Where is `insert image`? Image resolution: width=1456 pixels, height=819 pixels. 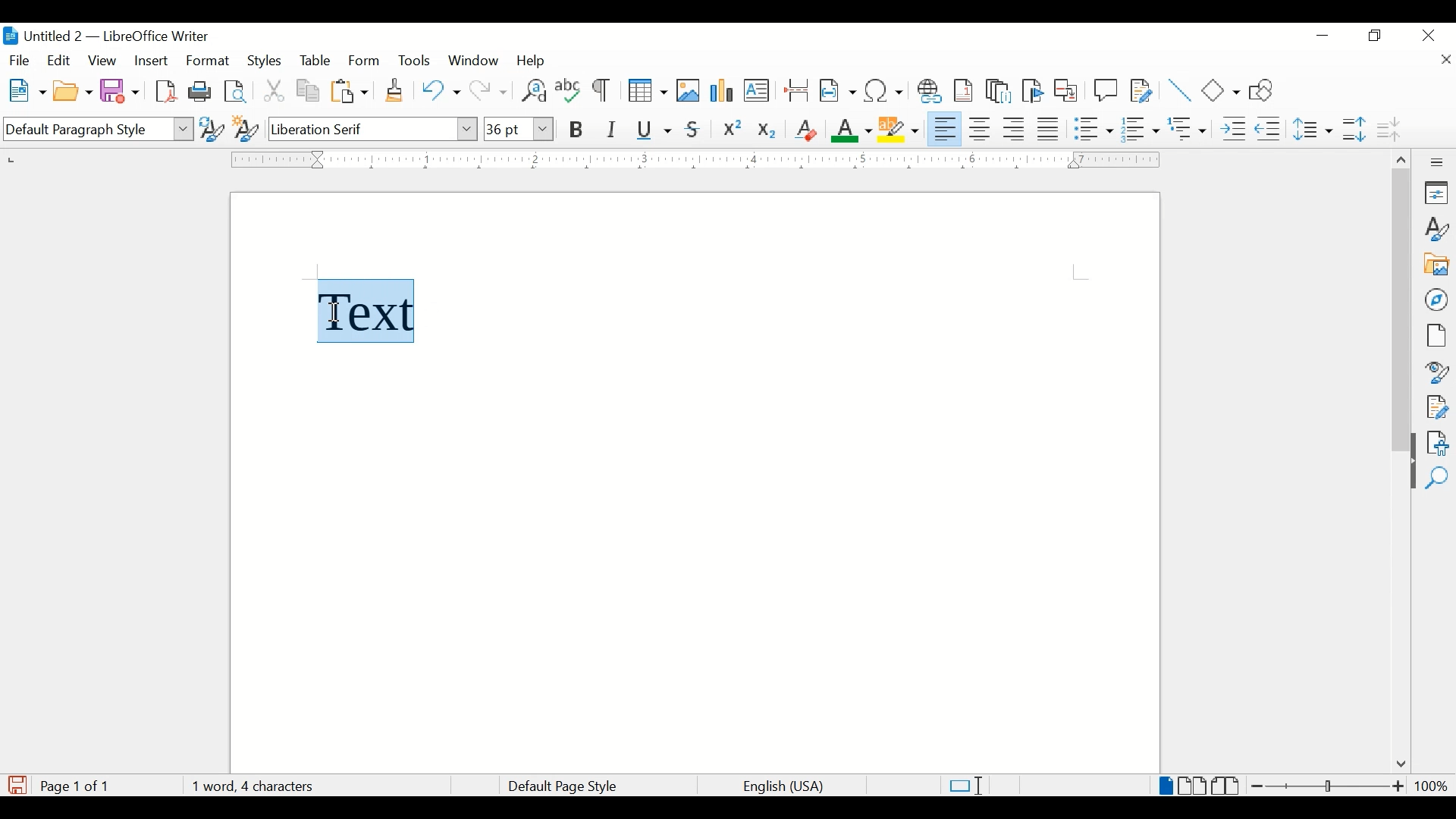 insert image is located at coordinates (689, 90).